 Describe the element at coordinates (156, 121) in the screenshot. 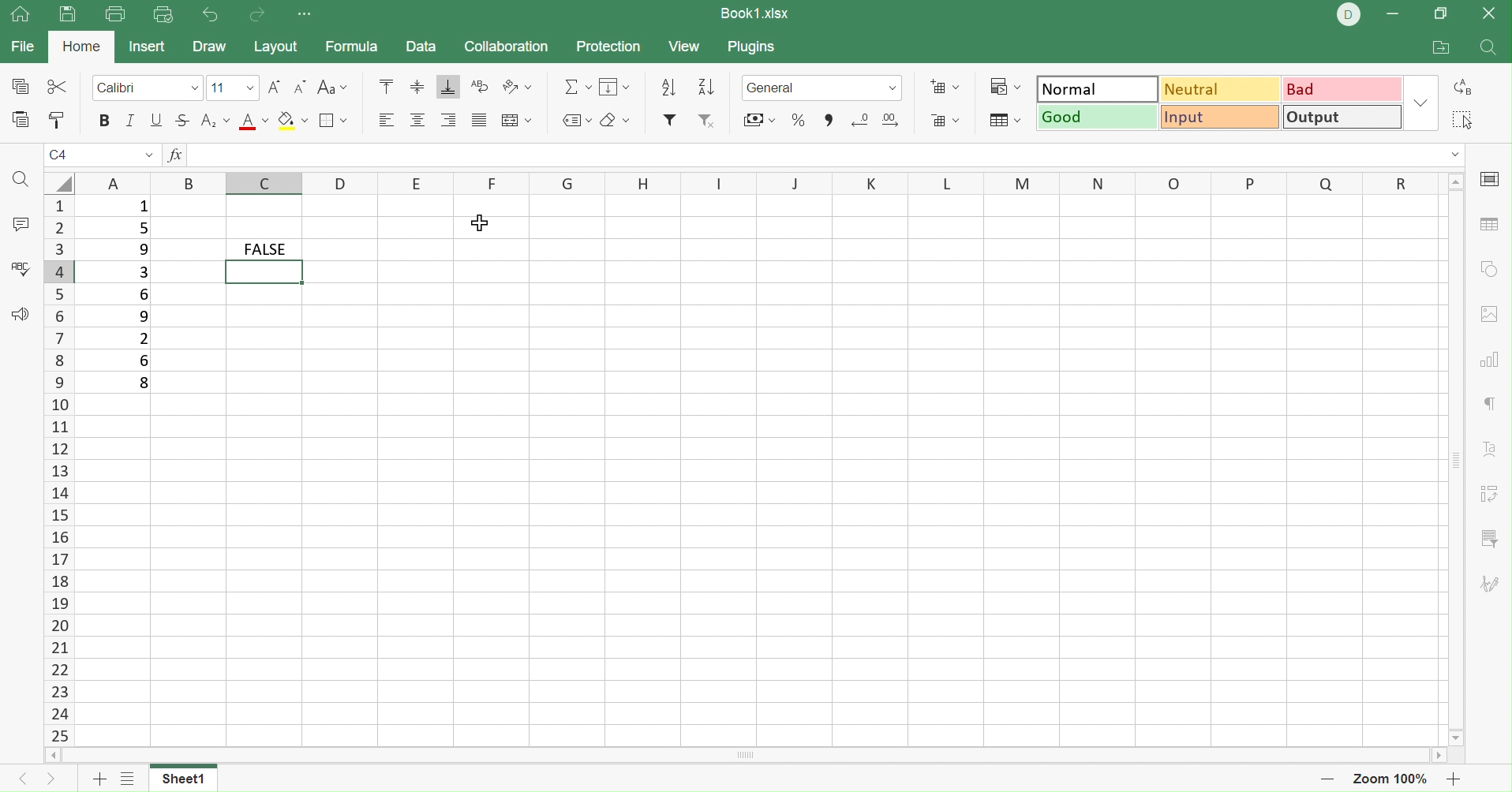

I see `Underline` at that location.